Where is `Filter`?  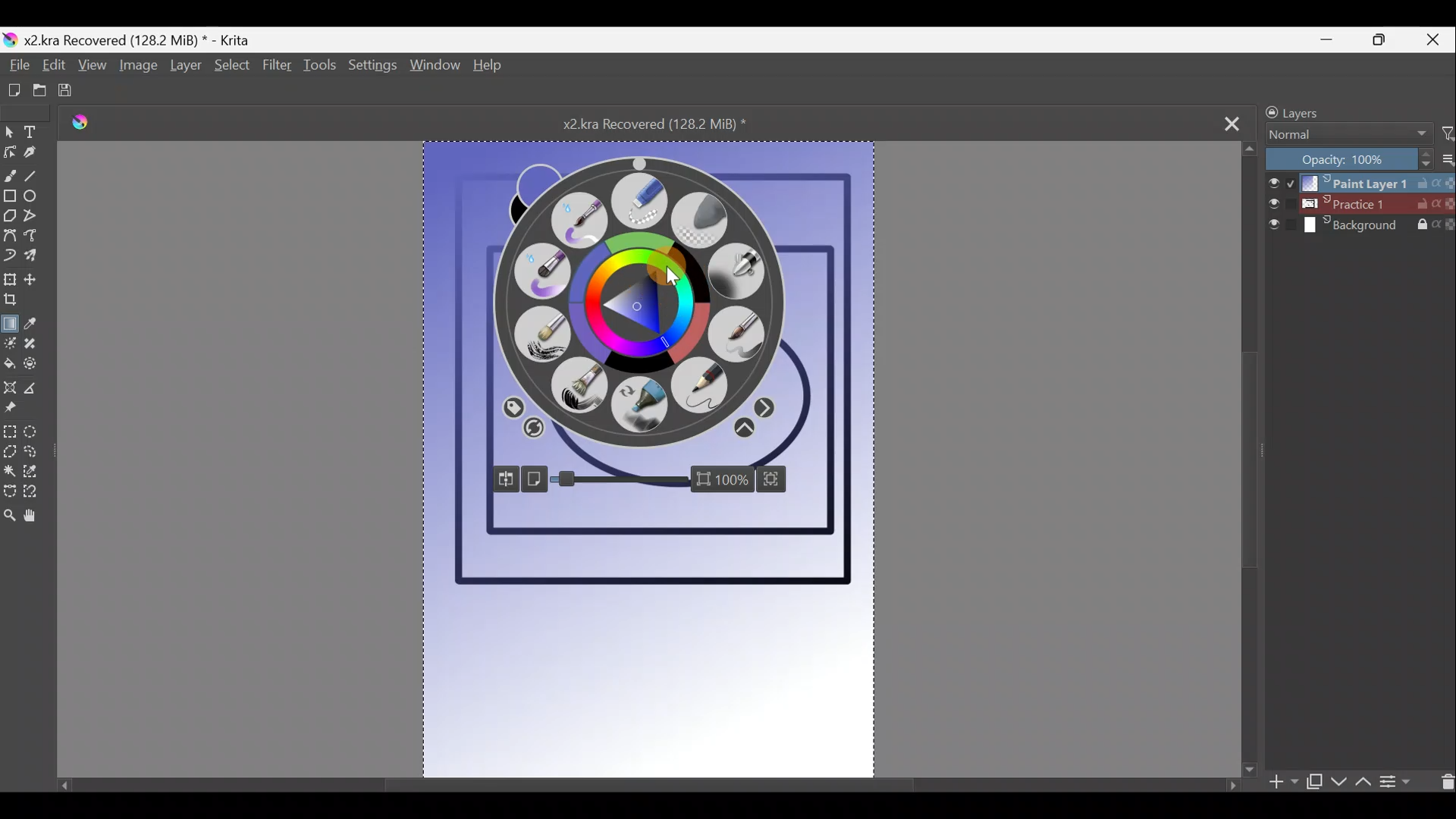 Filter is located at coordinates (1447, 134).